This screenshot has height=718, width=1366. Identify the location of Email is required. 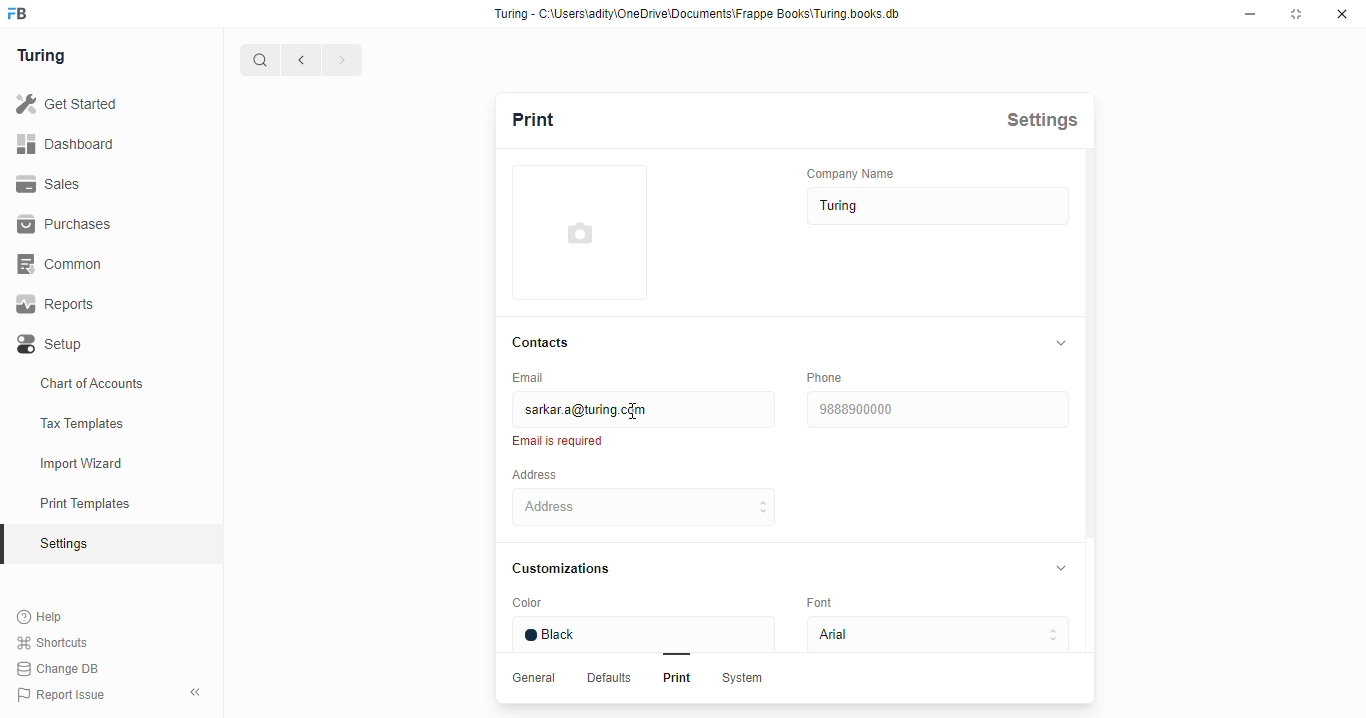
(562, 441).